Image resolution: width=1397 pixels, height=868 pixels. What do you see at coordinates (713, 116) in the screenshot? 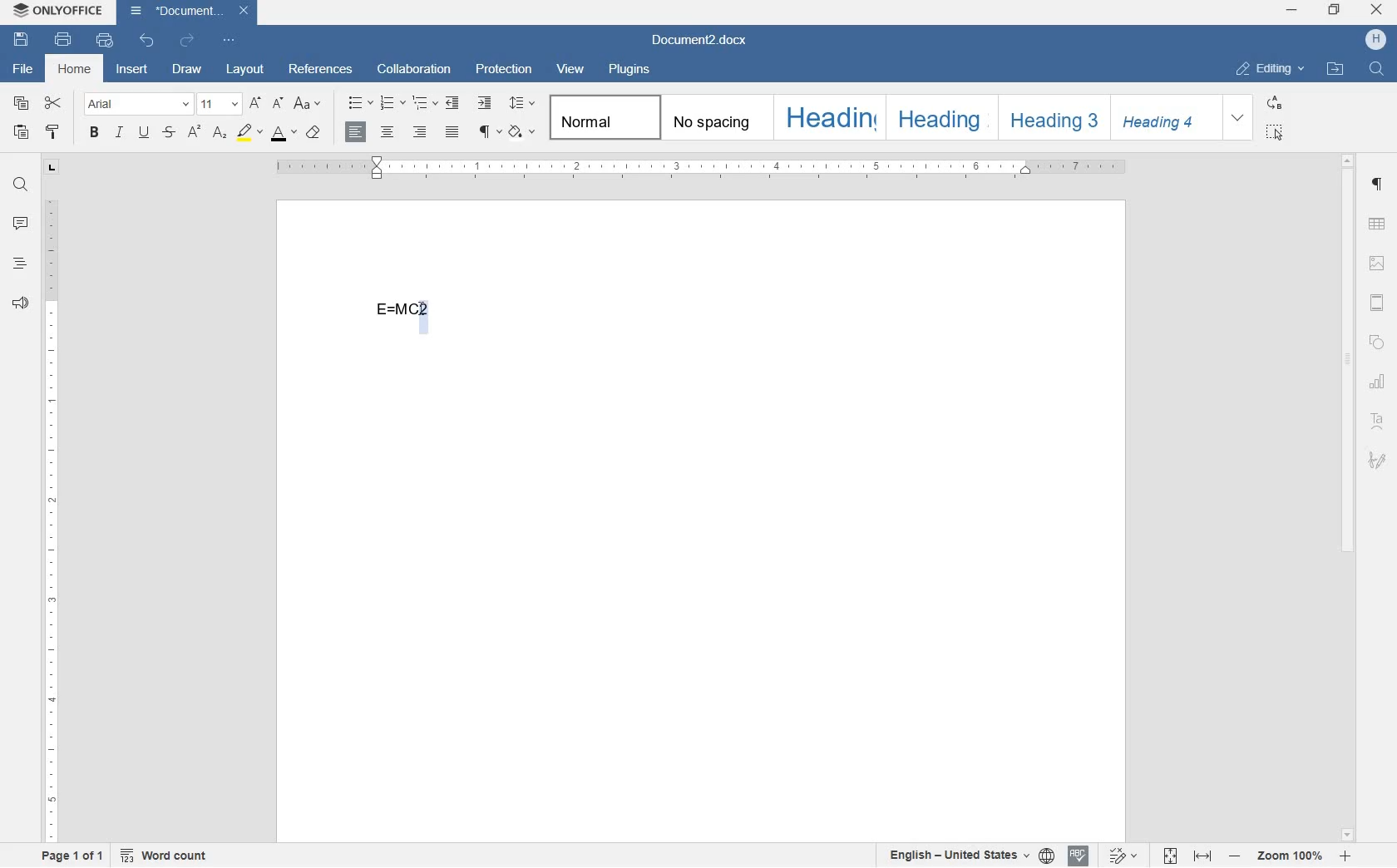
I see `no spacing` at bounding box center [713, 116].